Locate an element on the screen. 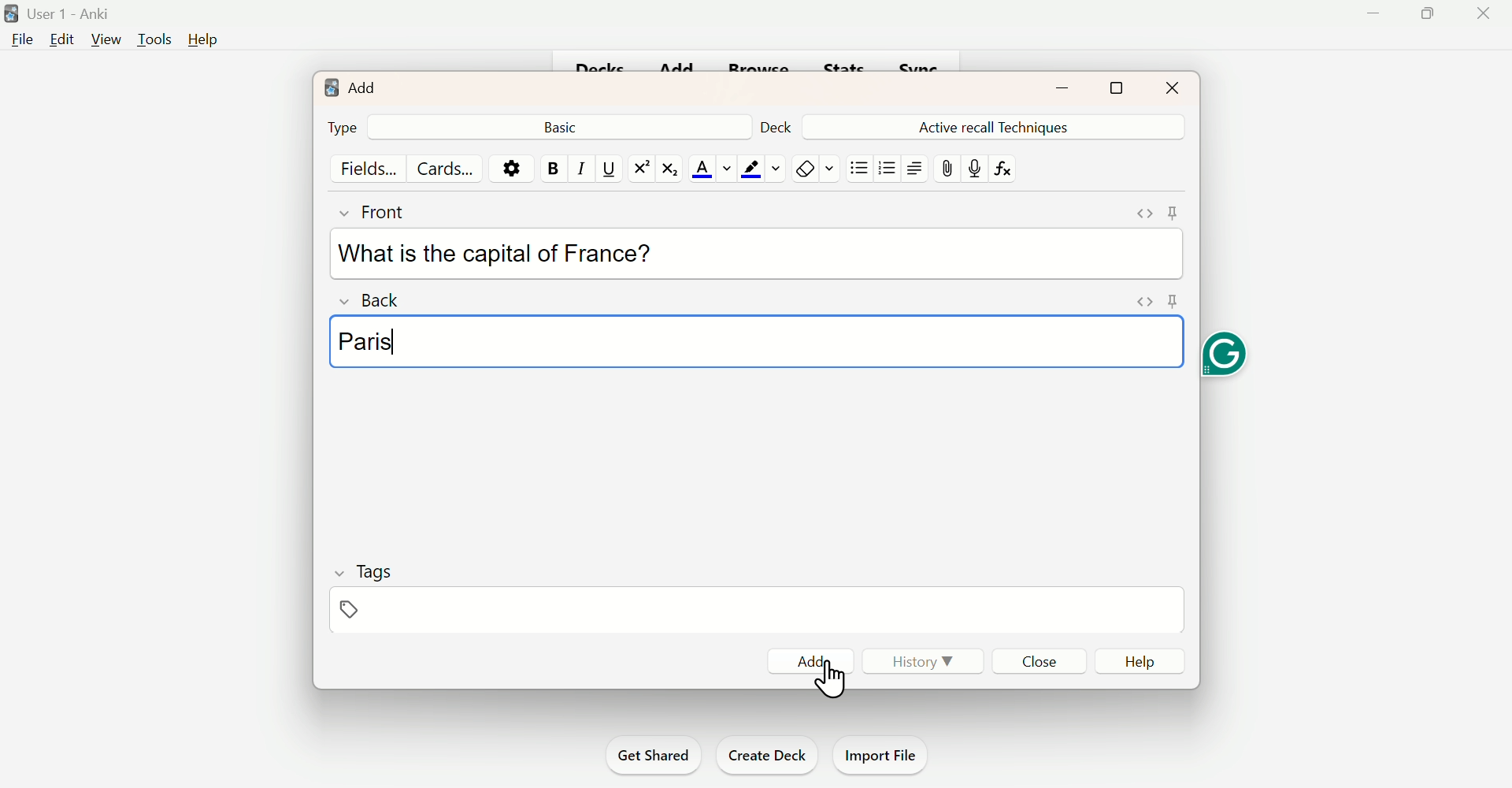  Edit is located at coordinates (61, 39).